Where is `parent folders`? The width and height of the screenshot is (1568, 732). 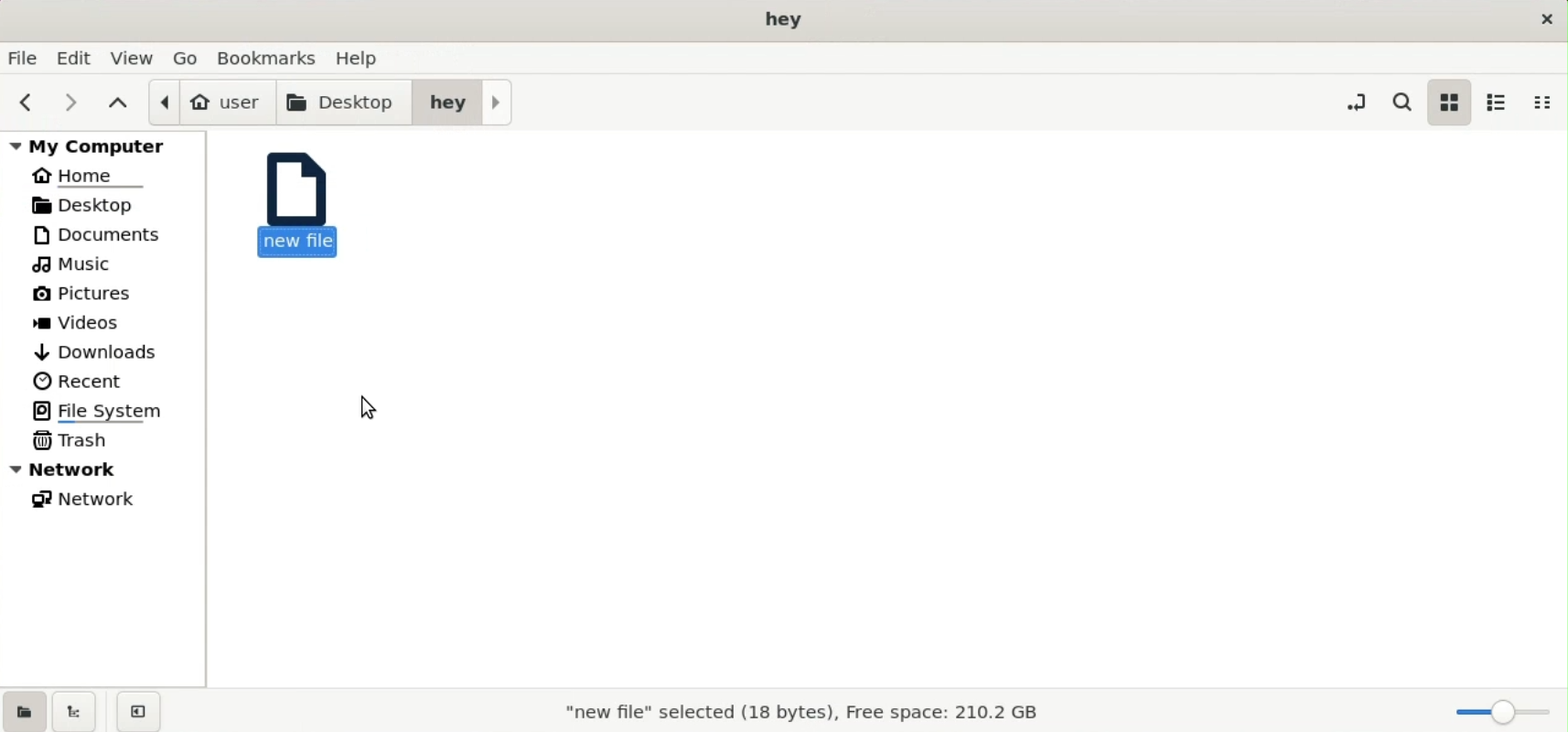 parent folders is located at coordinates (117, 102).